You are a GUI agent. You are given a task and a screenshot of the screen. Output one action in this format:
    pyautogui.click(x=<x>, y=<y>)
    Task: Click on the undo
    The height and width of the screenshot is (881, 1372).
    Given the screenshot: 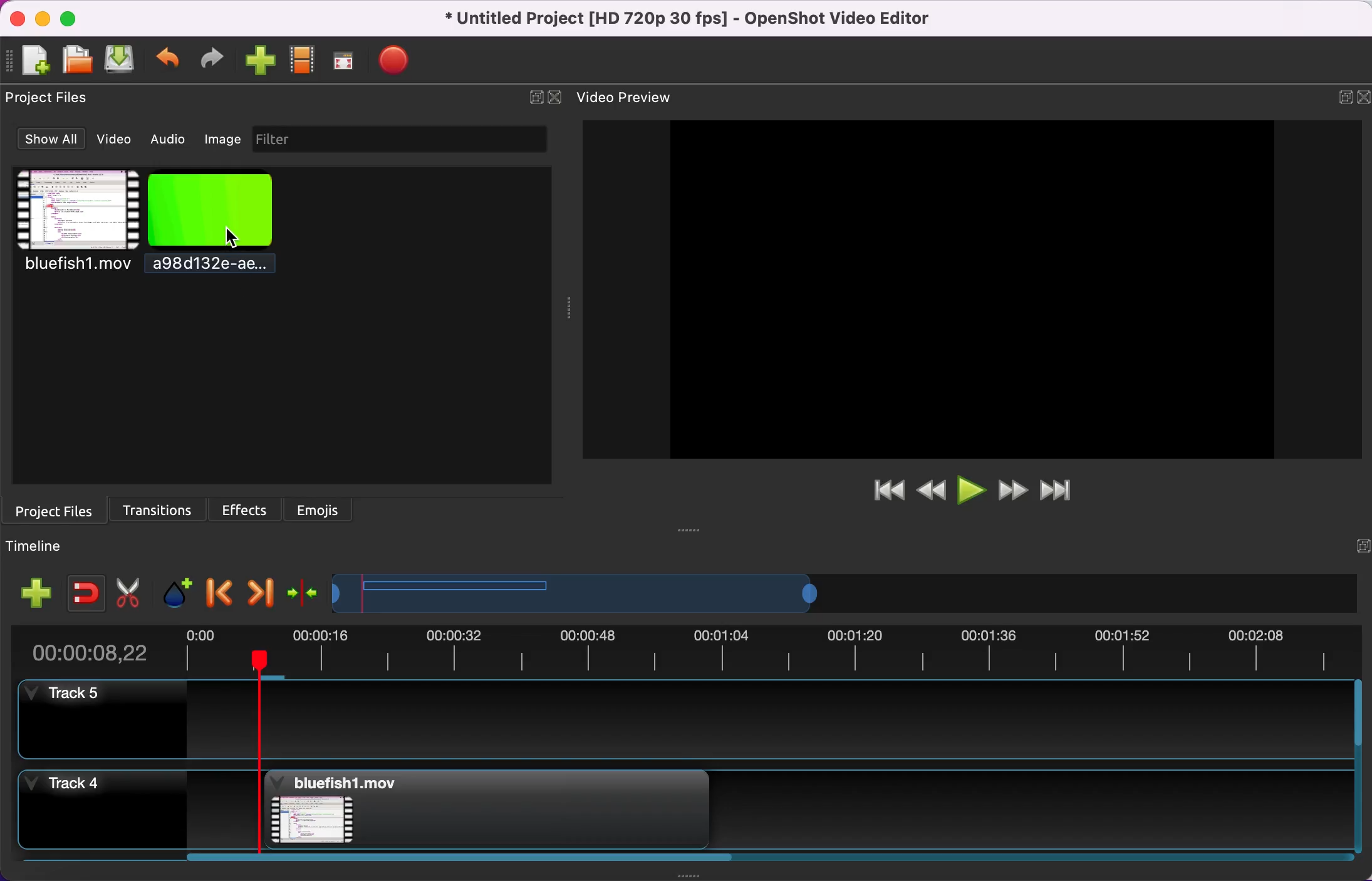 What is the action you would take?
    pyautogui.click(x=165, y=60)
    